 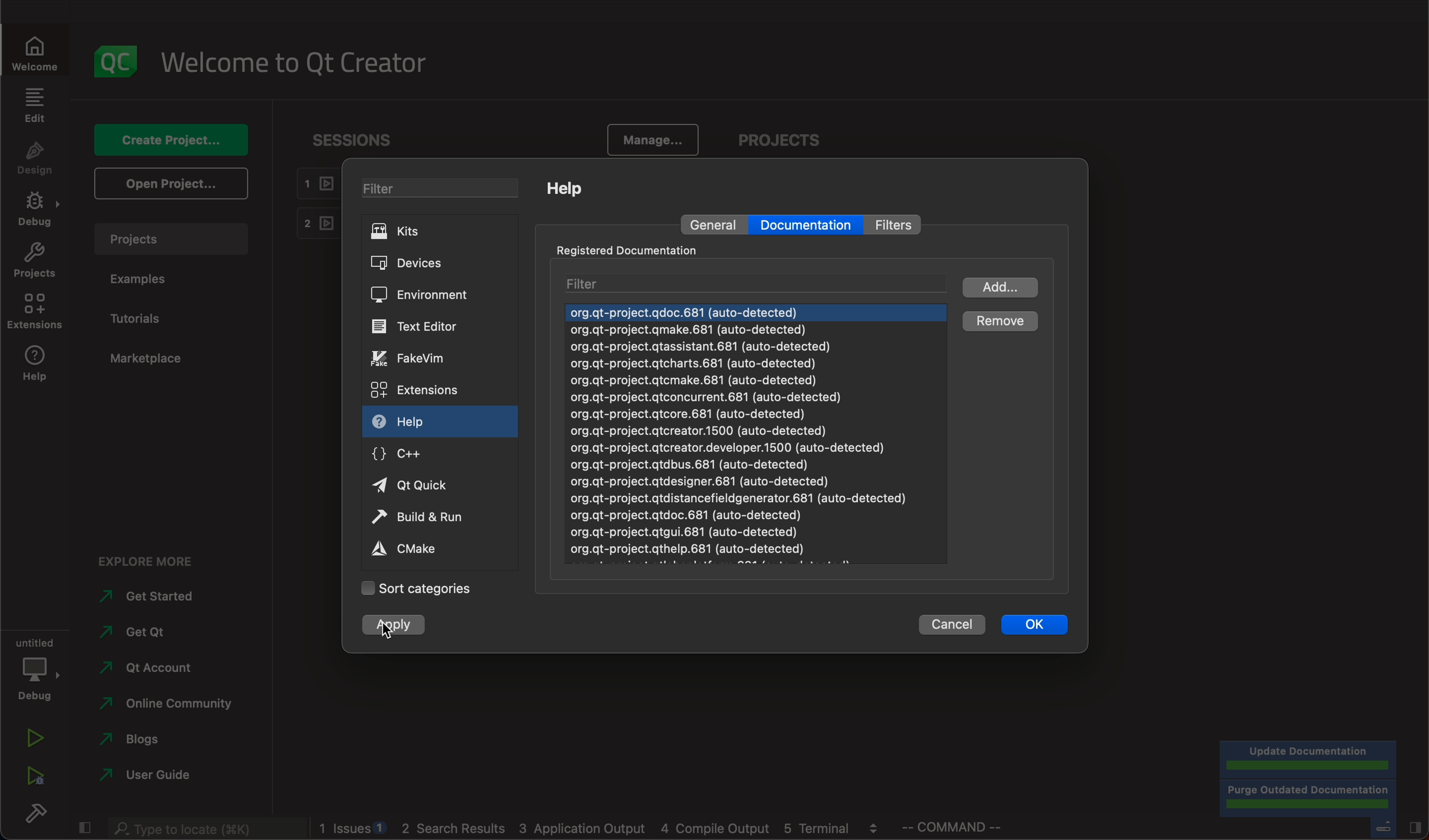 I want to click on projects, so click(x=788, y=141).